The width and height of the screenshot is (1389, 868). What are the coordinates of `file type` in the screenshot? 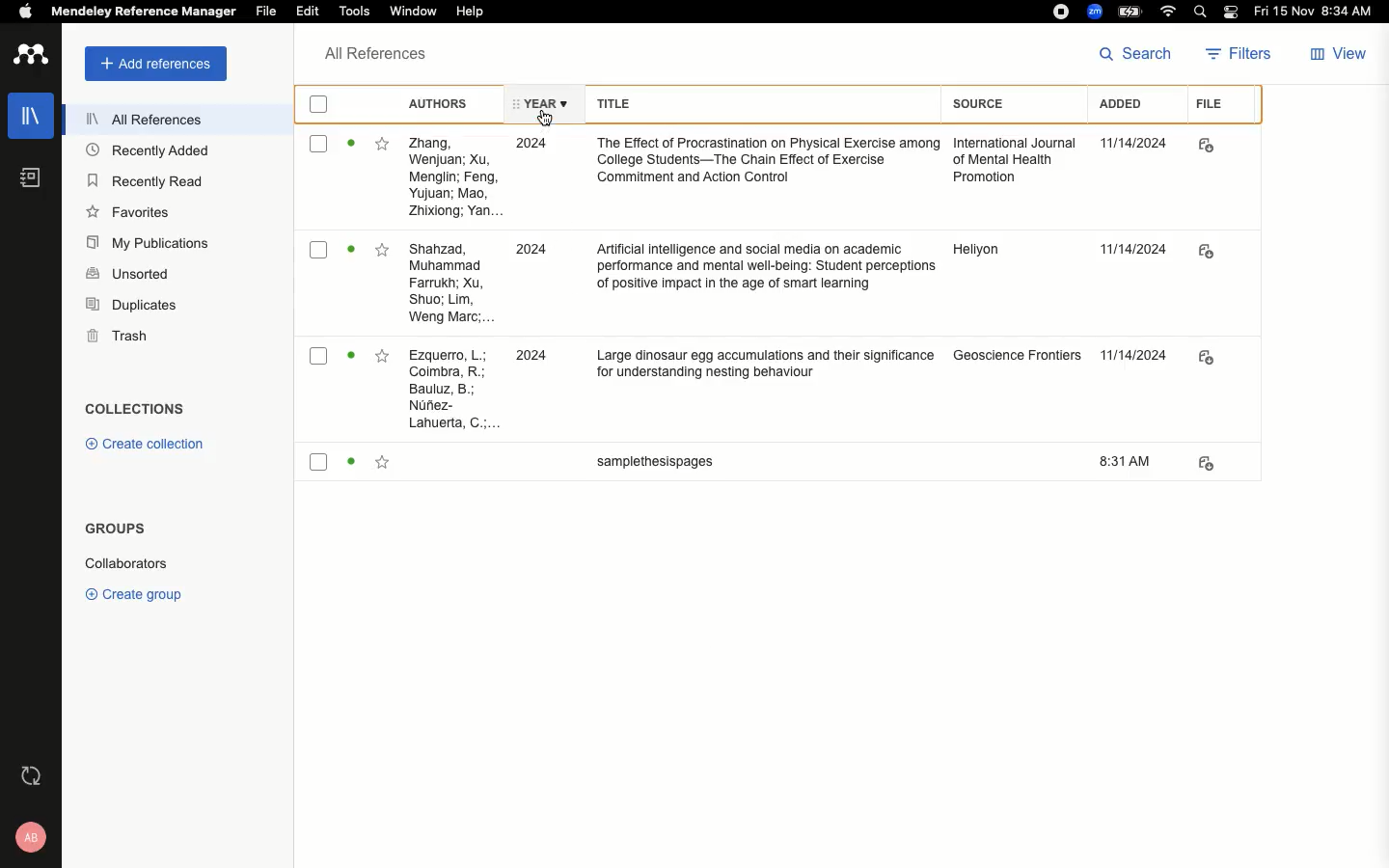 It's located at (1219, 256).